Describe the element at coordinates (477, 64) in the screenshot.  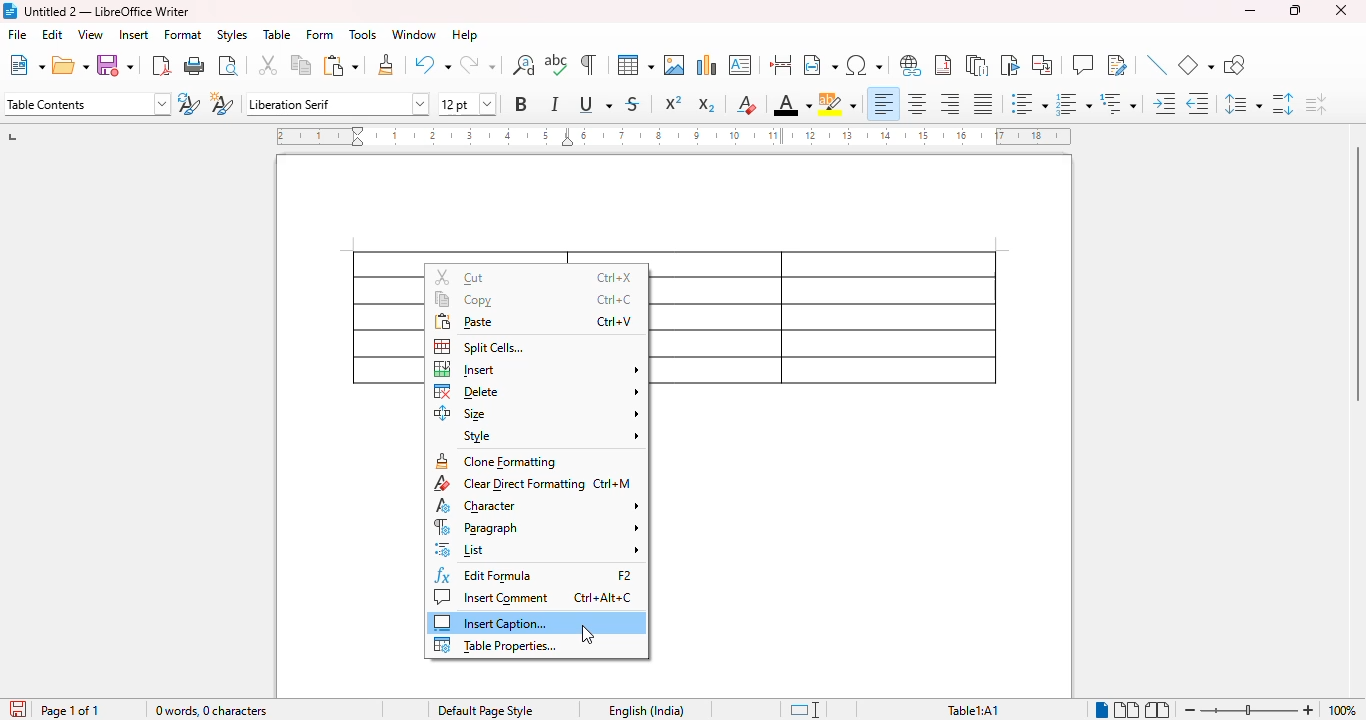
I see `redo` at that location.